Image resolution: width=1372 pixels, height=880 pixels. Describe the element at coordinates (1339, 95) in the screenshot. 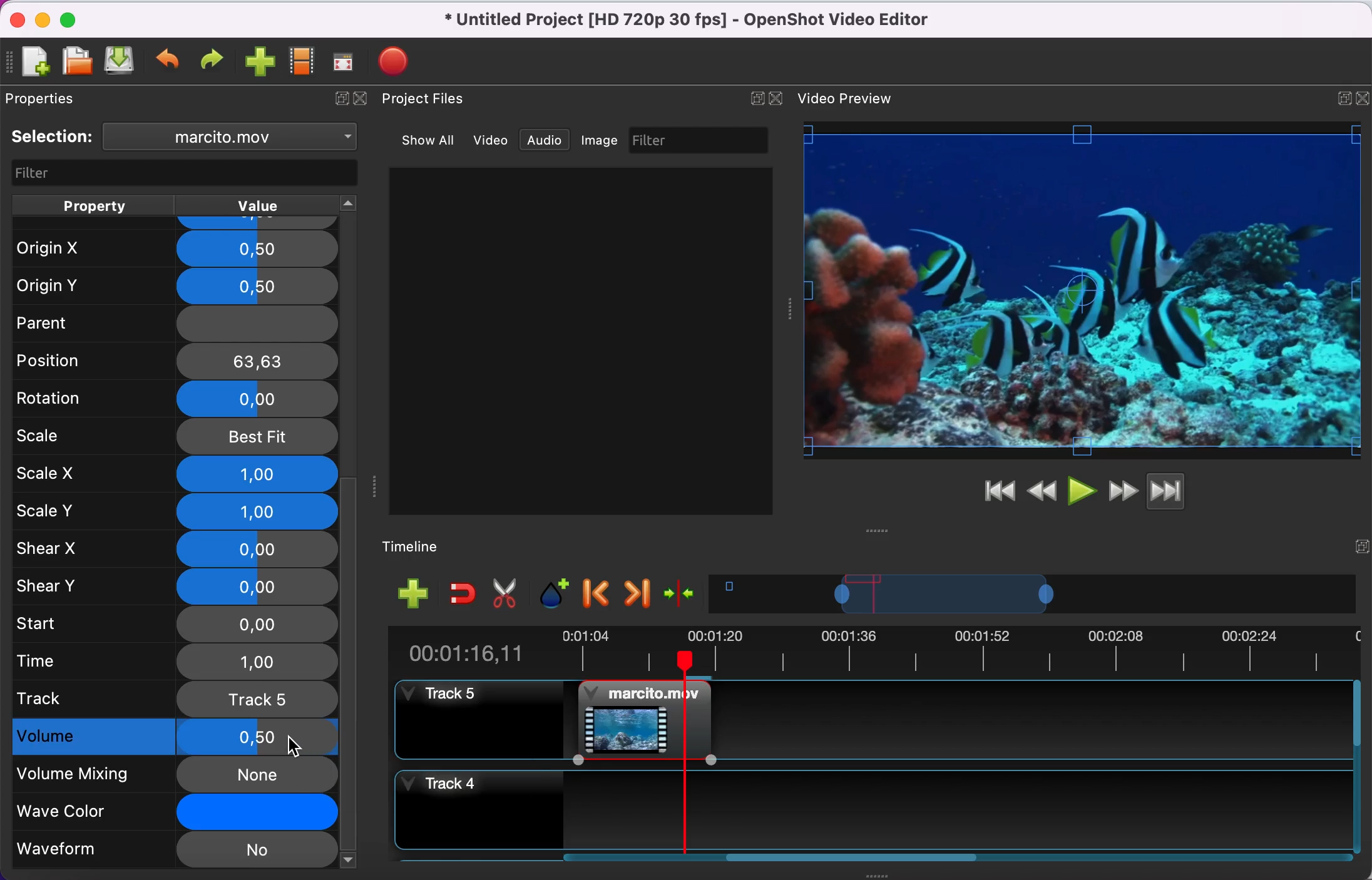

I see `maximize` at that location.